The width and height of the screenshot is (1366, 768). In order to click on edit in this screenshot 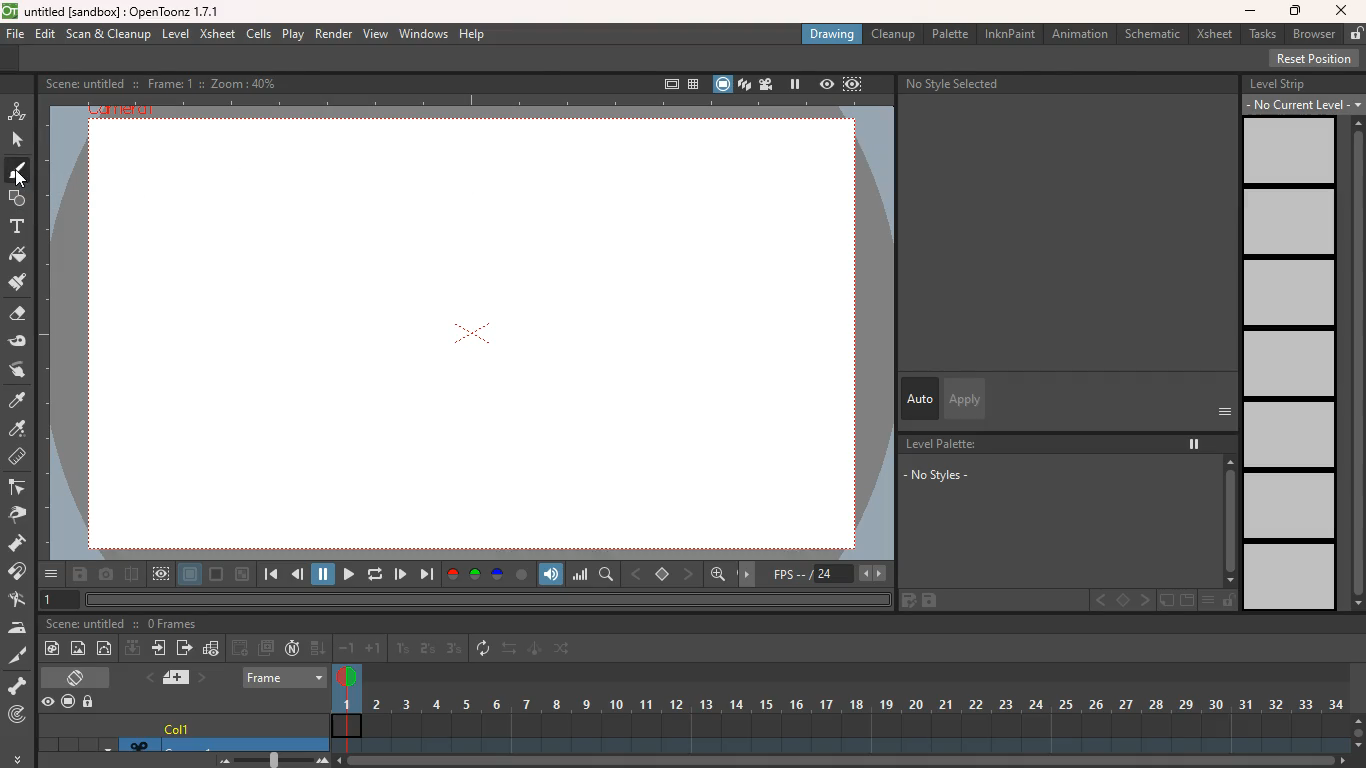, I will do `click(46, 34)`.